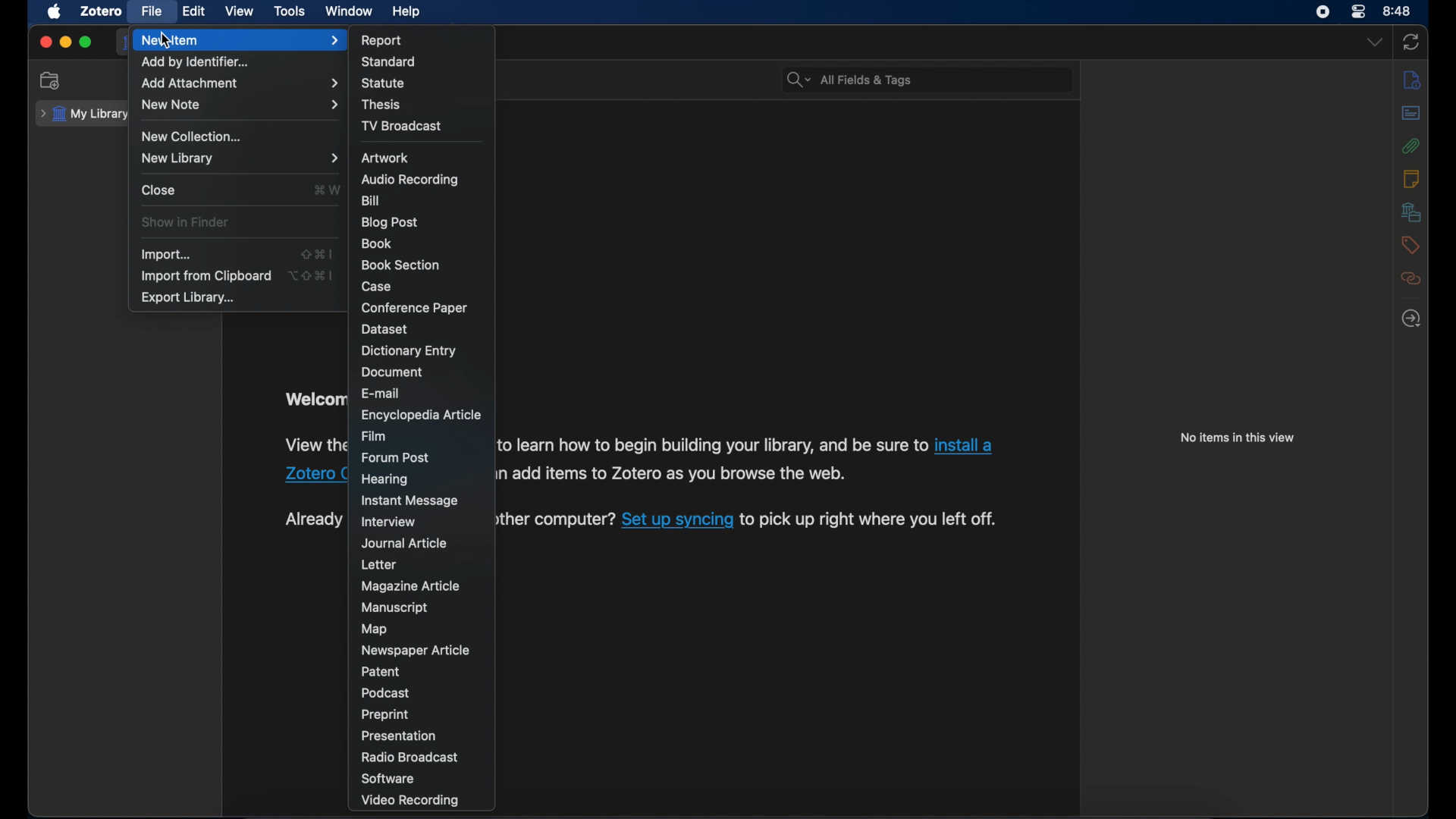 This screenshot has height=819, width=1456. I want to click on file, so click(151, 12).